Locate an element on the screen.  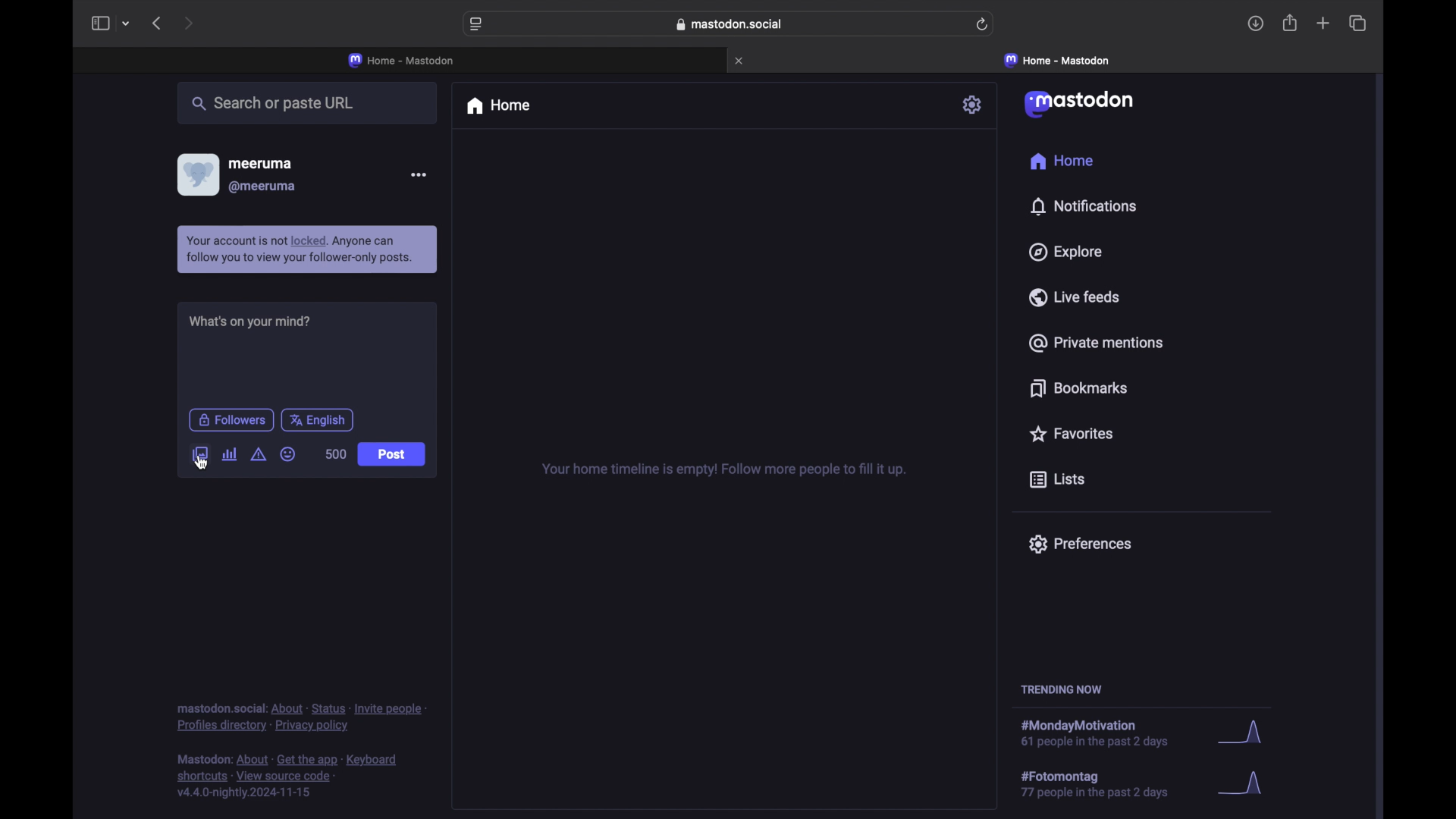
close is located at coordinates (742, 61).